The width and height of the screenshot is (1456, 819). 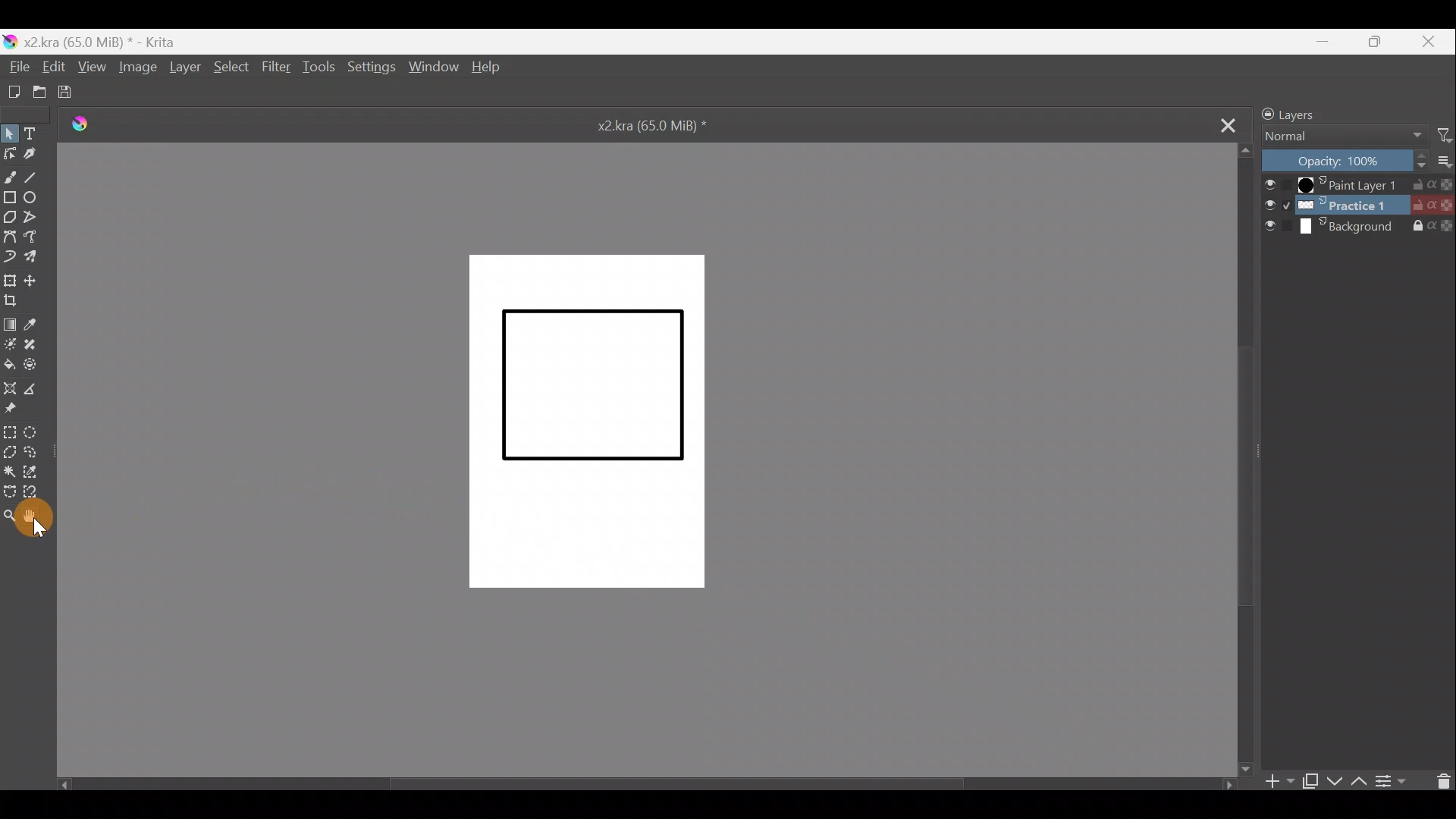 I want to click on Help, so click(x=492, y=68).